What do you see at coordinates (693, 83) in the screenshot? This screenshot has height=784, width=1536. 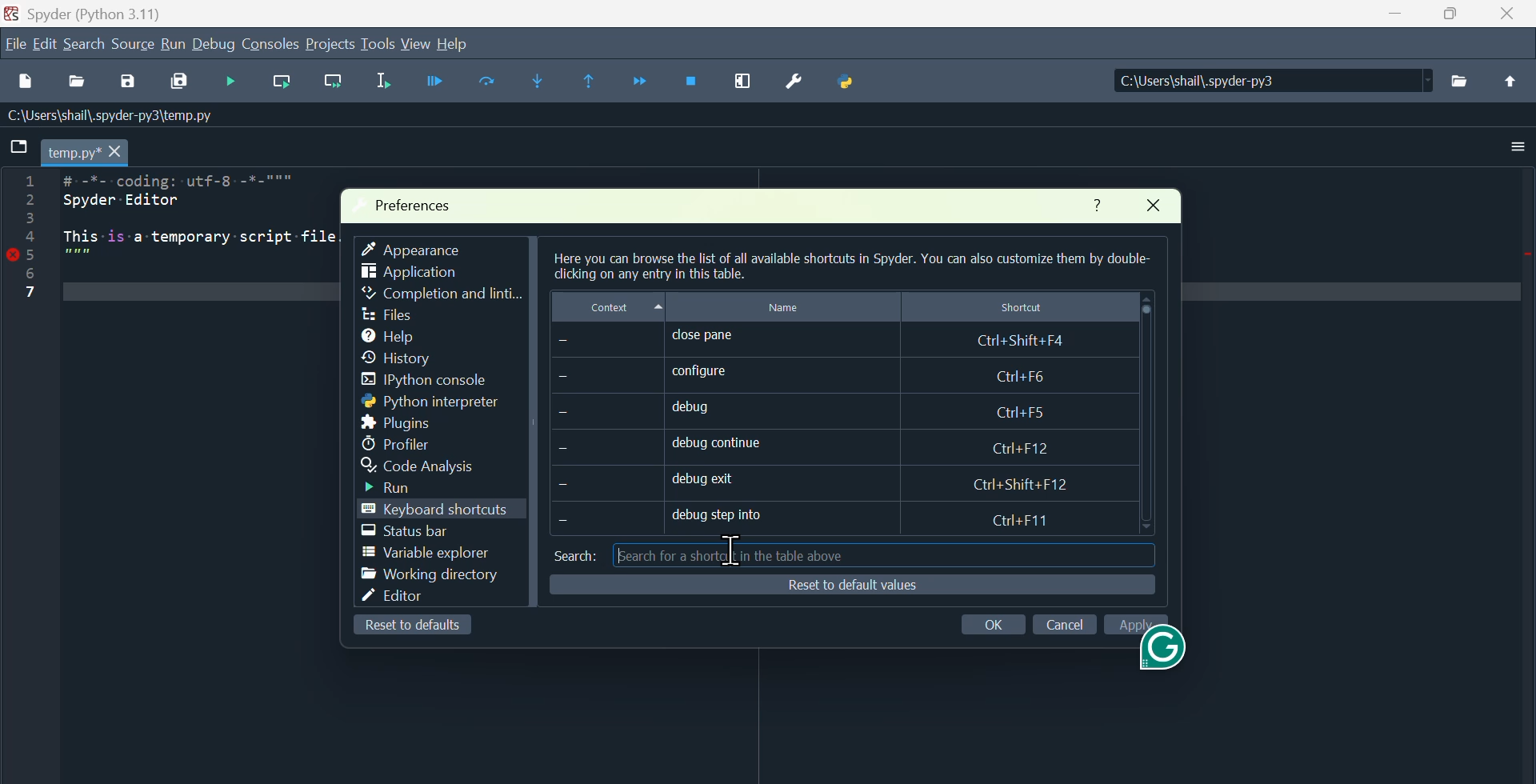 I see `Stop debugging` at bounding box center [693, 83].